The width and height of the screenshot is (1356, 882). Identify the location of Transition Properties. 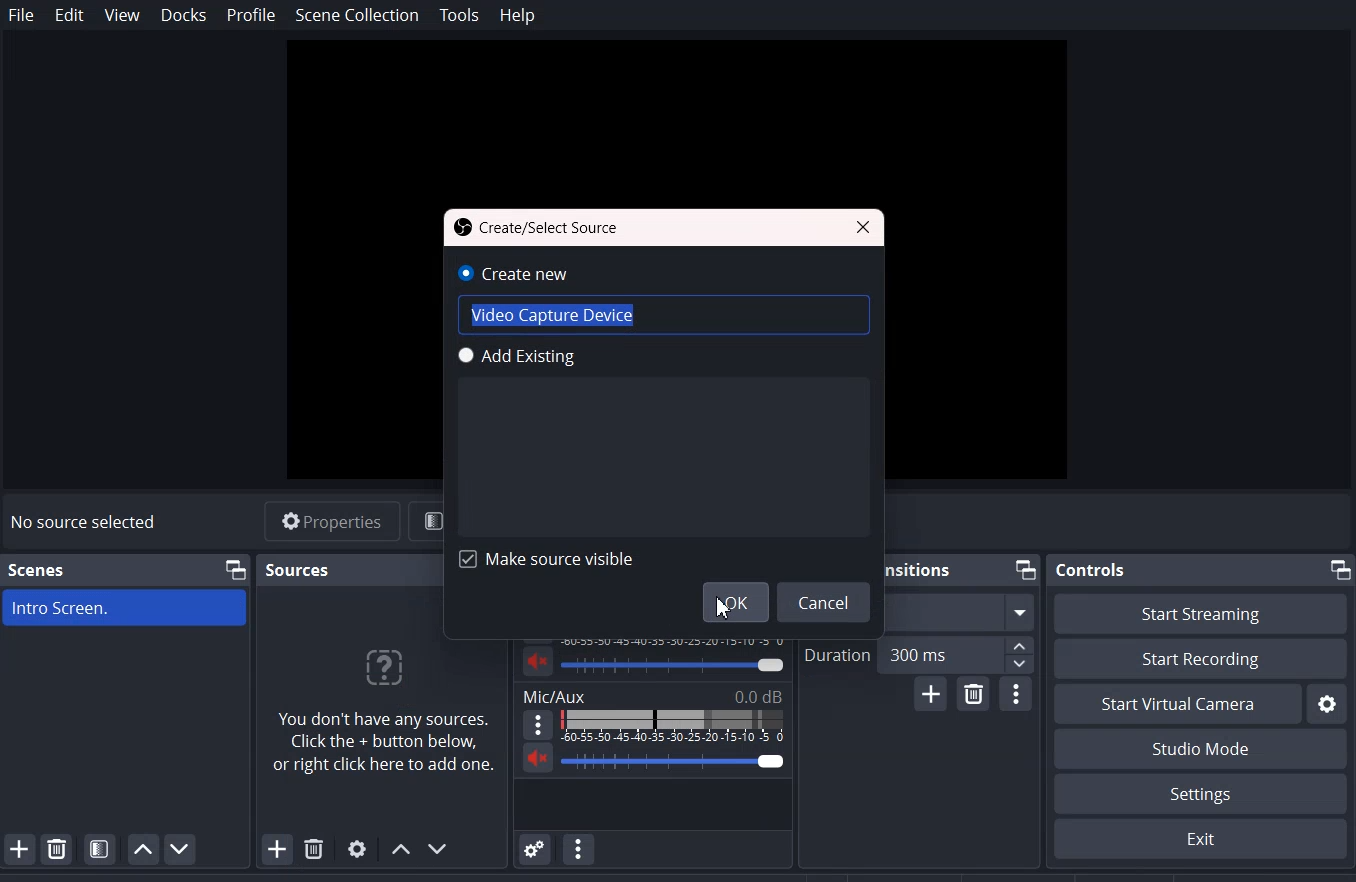
(1017, 694).